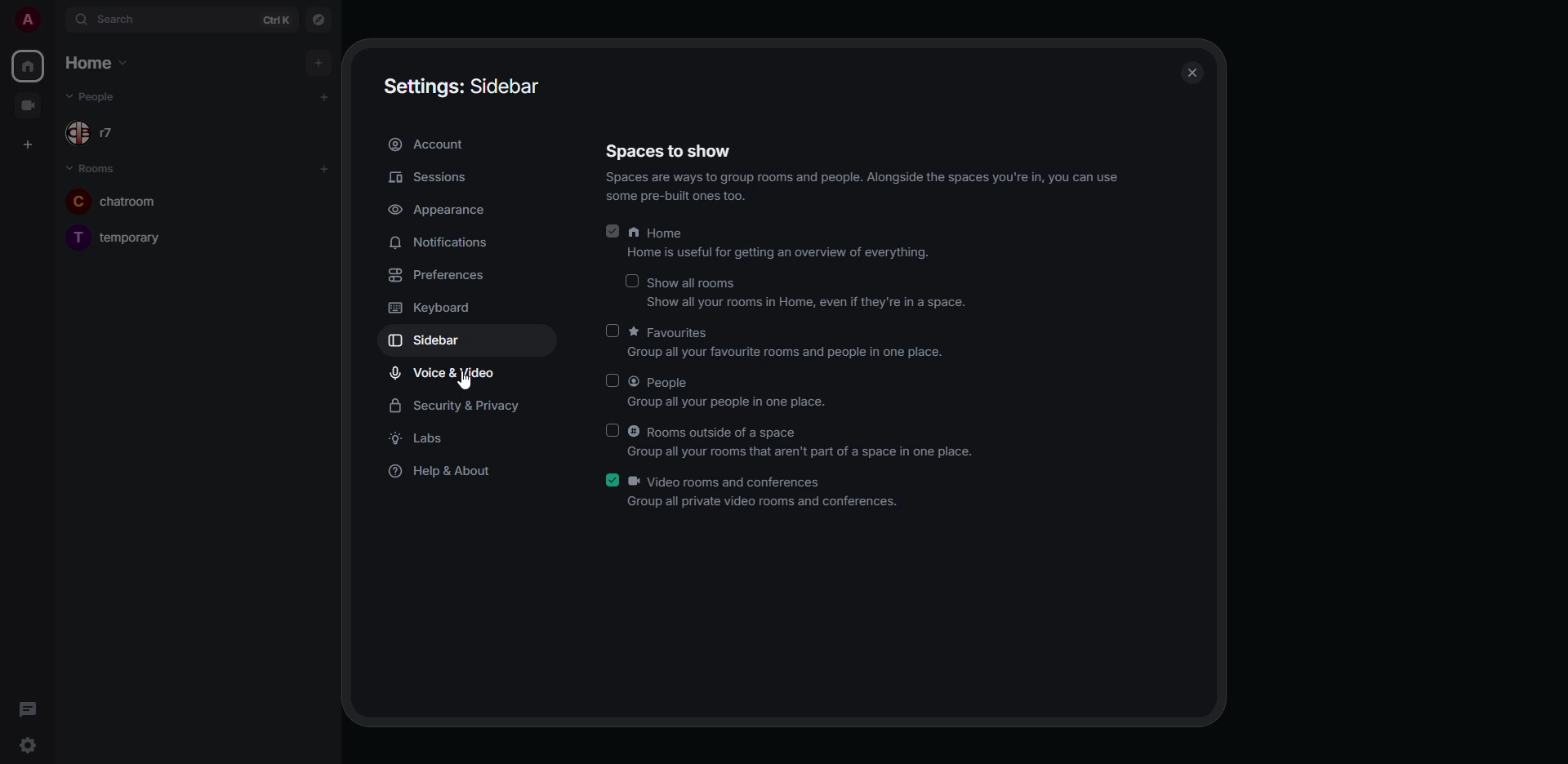 The height and width of the screenshot is (764, 1568). What do you see at coordinates (862, 171) in the screenshot?
I see `spaces to show` at bounding box center [862, 171].